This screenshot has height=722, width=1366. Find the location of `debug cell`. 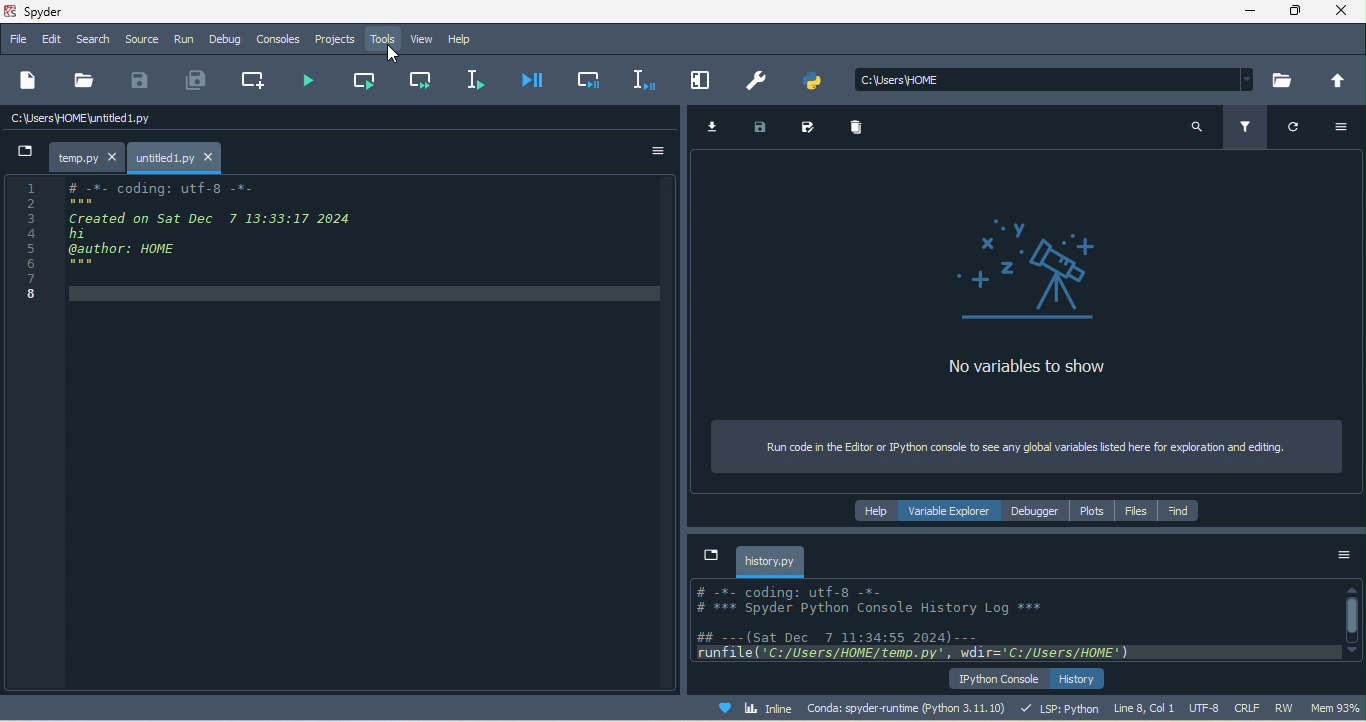

debug cell is located at coordinates (592, 77).